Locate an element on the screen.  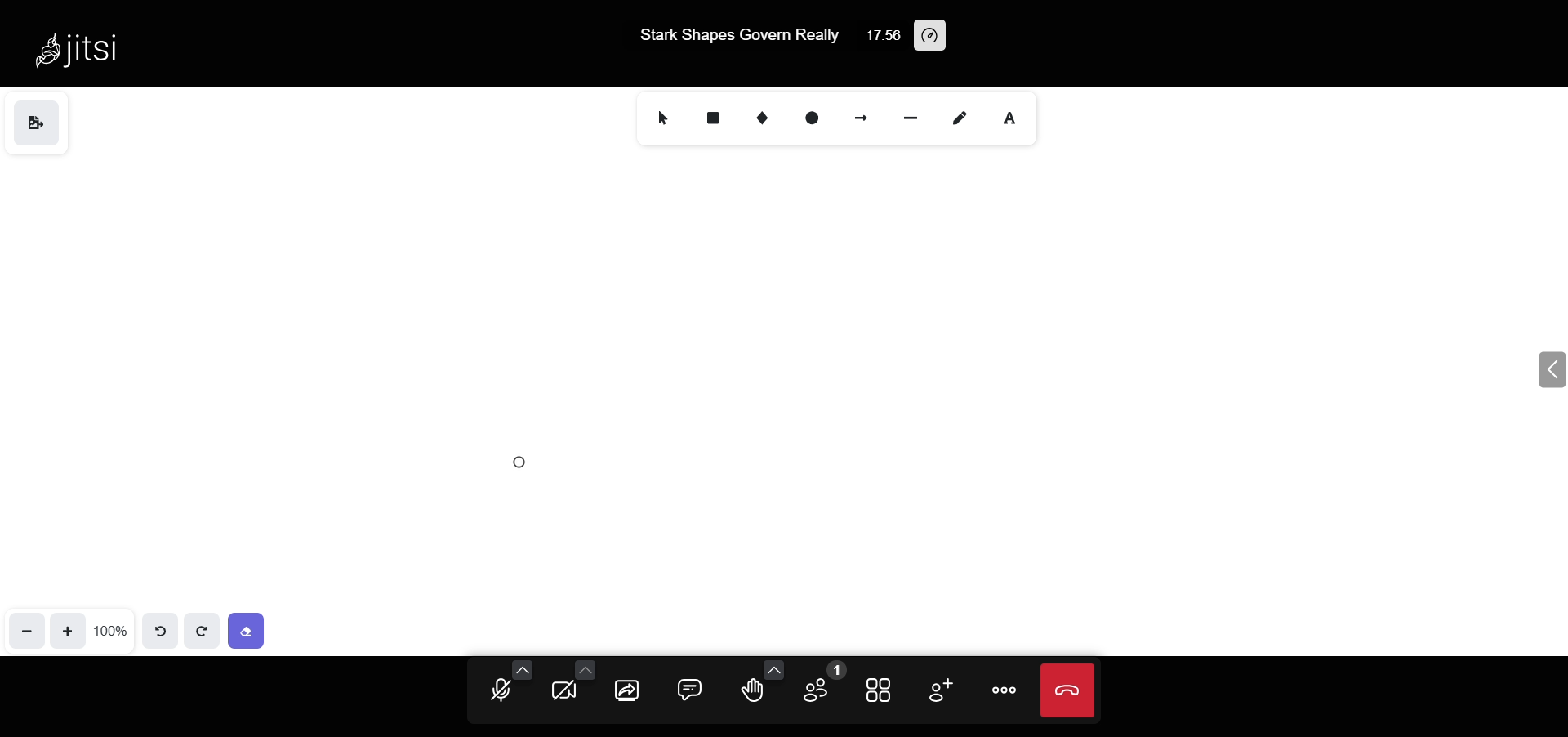
text is located at coordinates (1013, 115).